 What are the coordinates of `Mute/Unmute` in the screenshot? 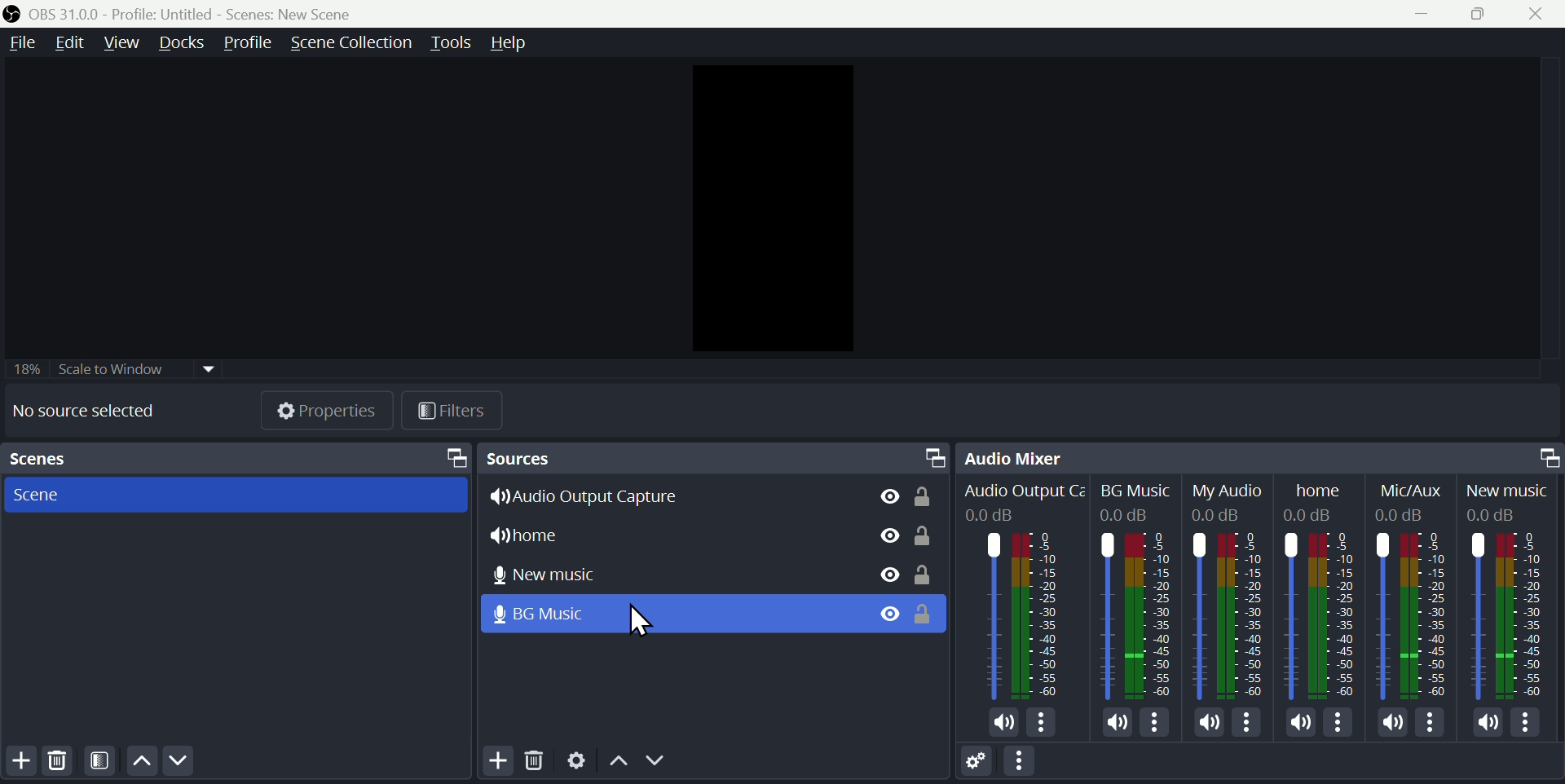 It's located at (1003, 723).